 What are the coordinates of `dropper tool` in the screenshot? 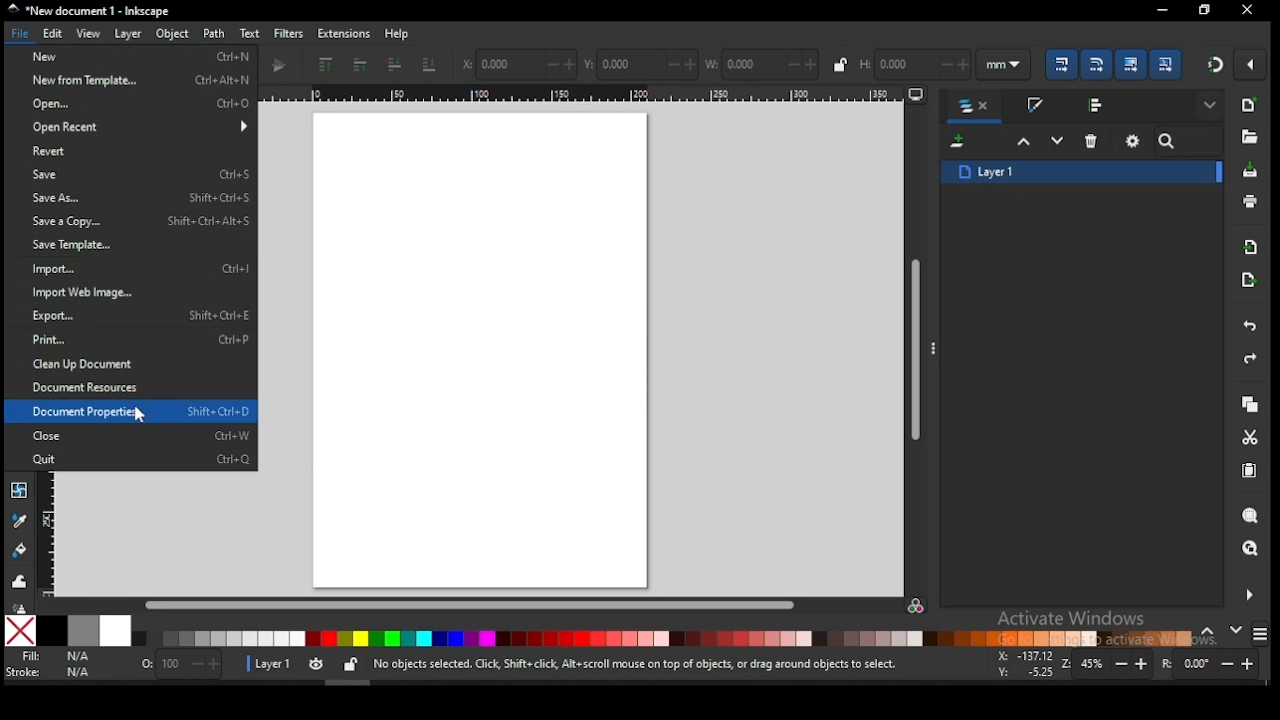 It's located at (20, 519).